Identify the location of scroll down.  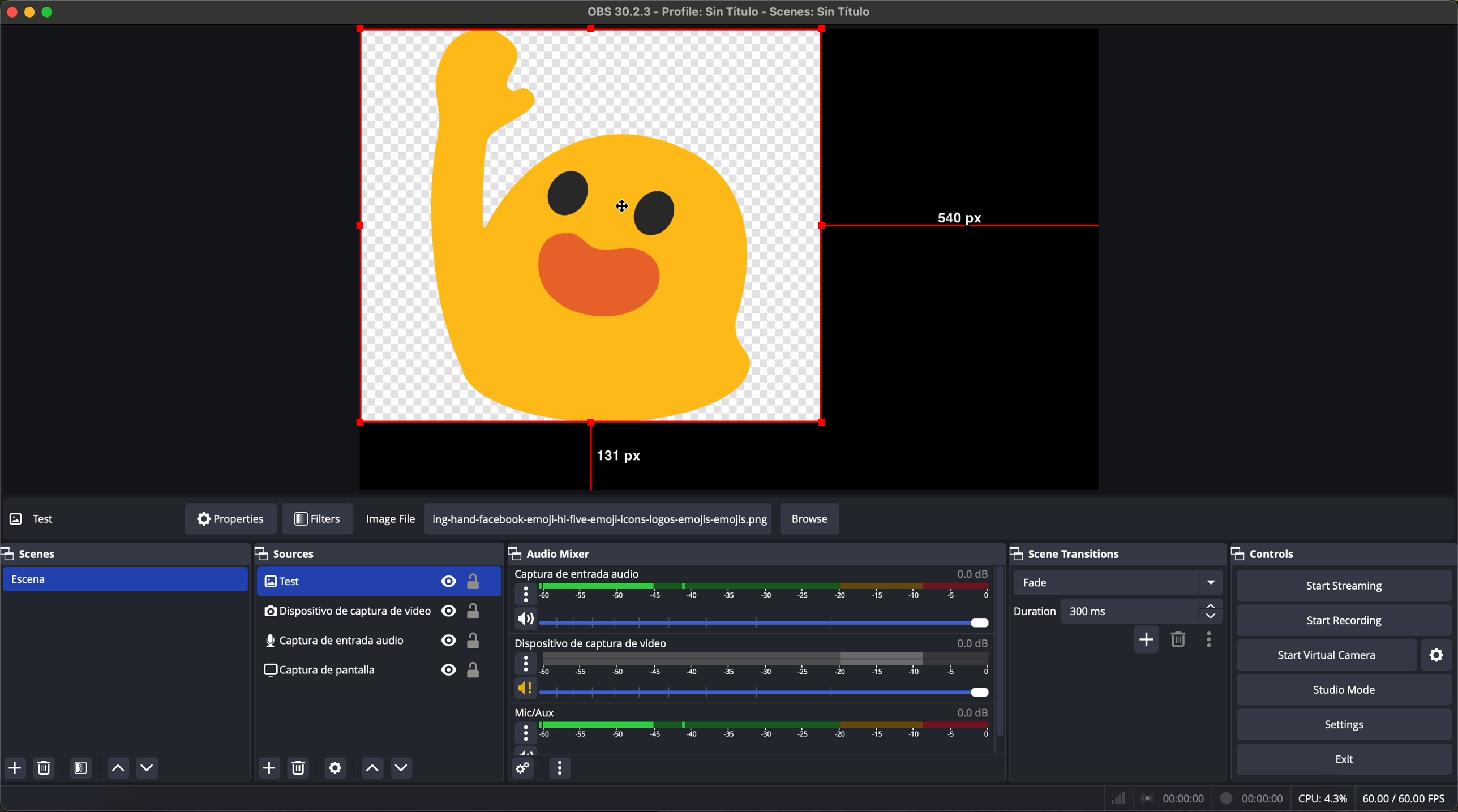
(1001, 640).